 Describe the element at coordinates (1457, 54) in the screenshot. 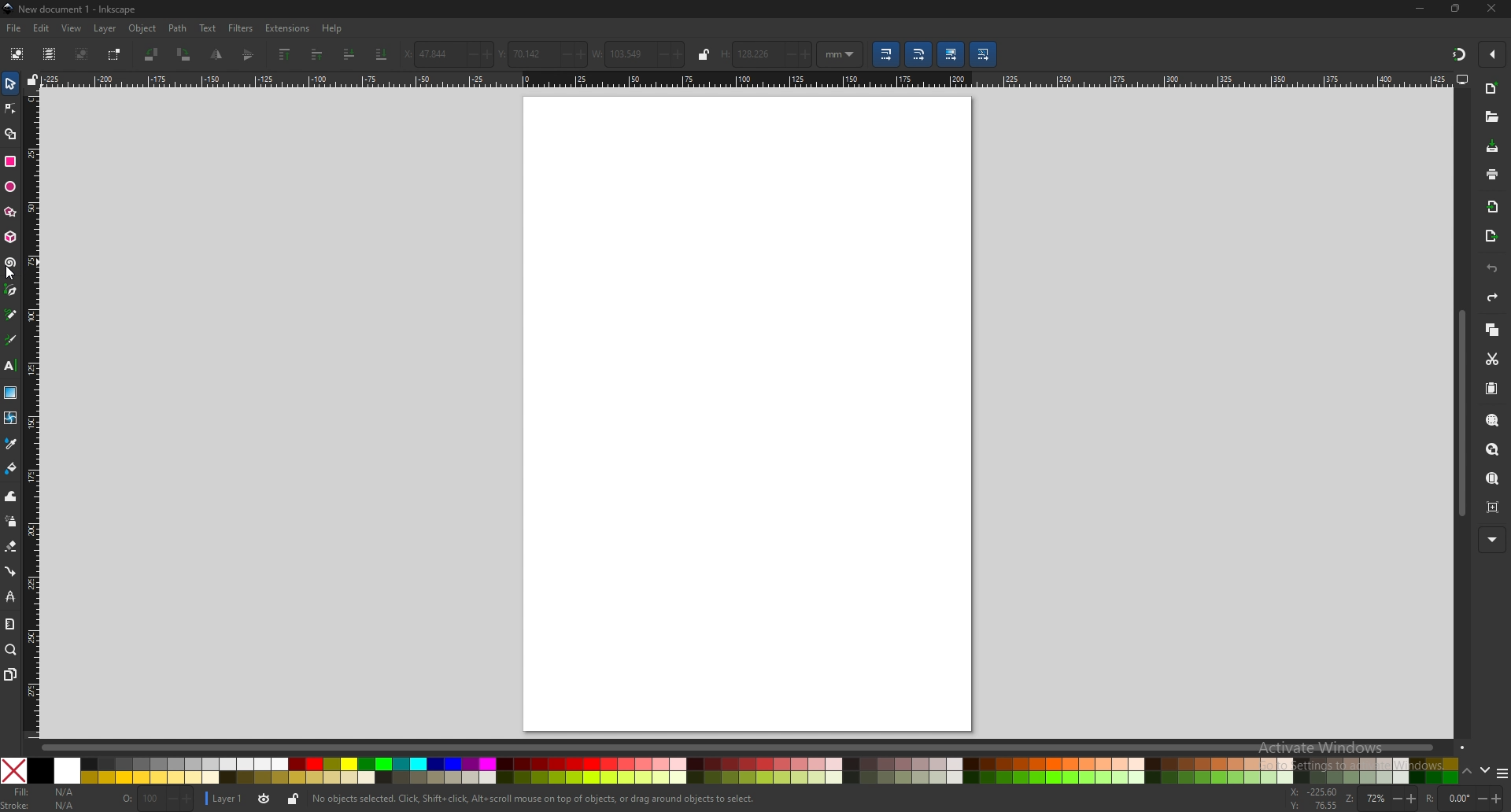

I see `snapping` at that location.